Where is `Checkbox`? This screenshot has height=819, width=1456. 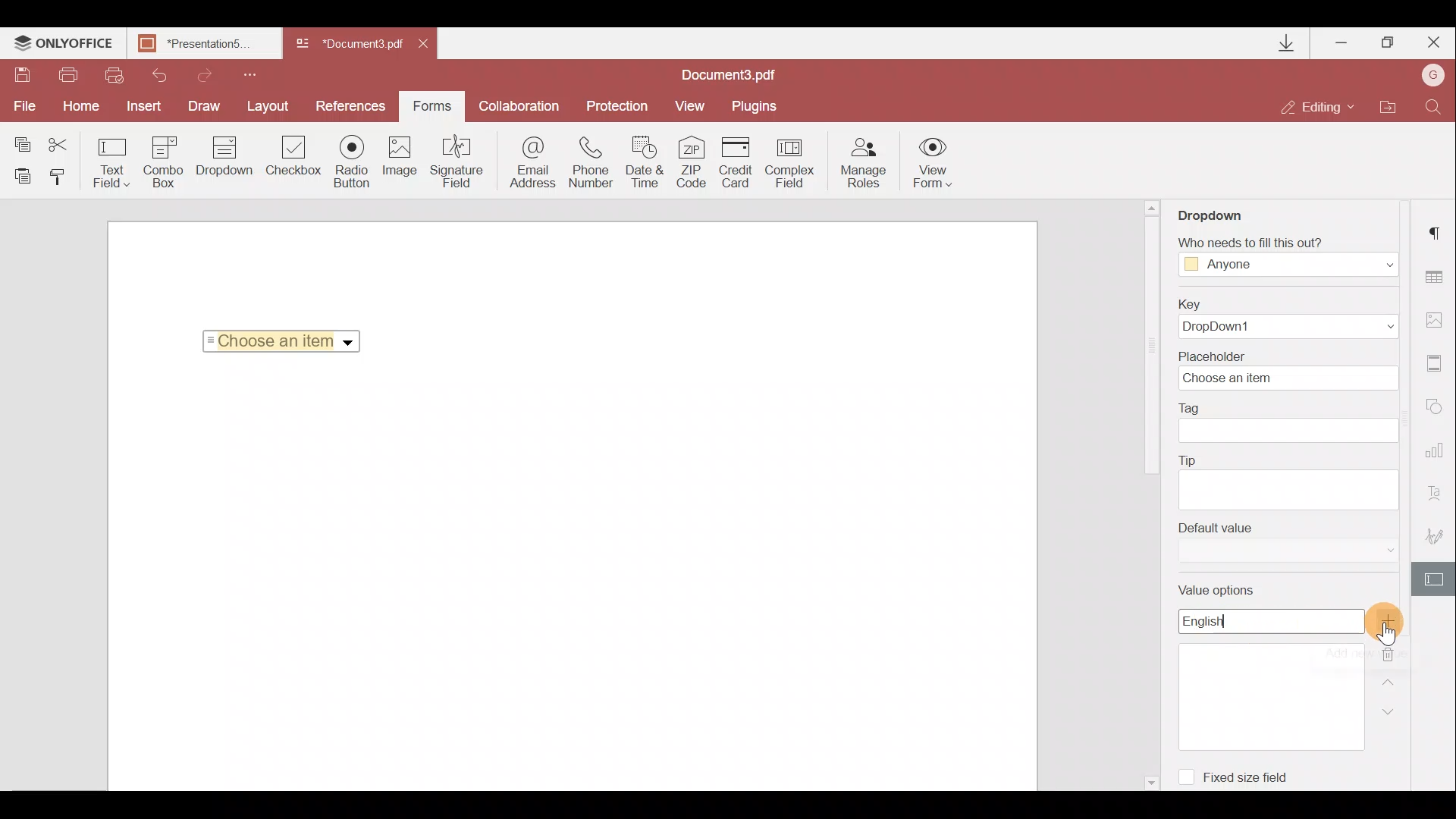 Checkbox is located at coordinates (291, 158).